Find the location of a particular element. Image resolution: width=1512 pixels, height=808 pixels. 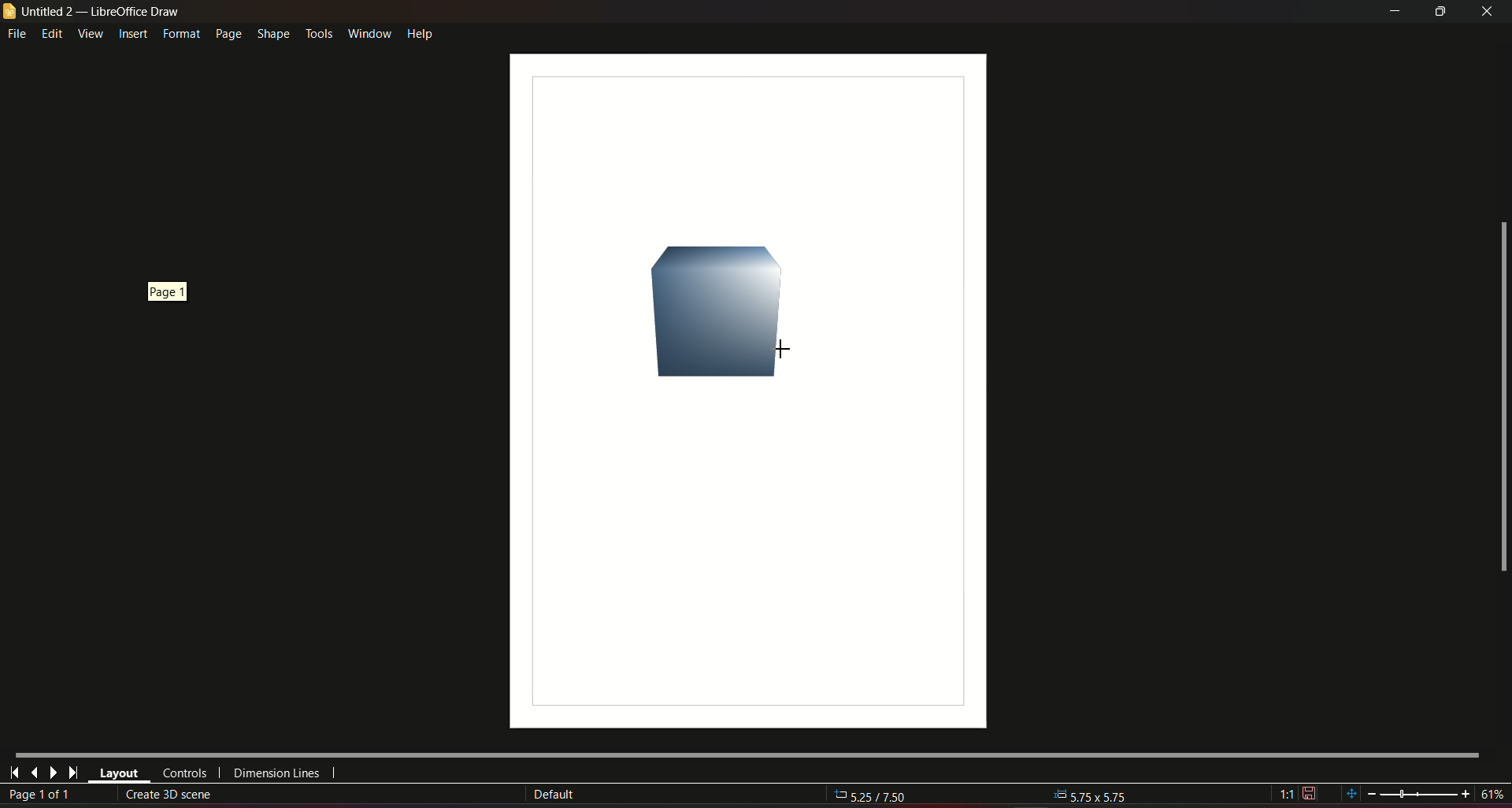

window is located at coordinates (368, 31).